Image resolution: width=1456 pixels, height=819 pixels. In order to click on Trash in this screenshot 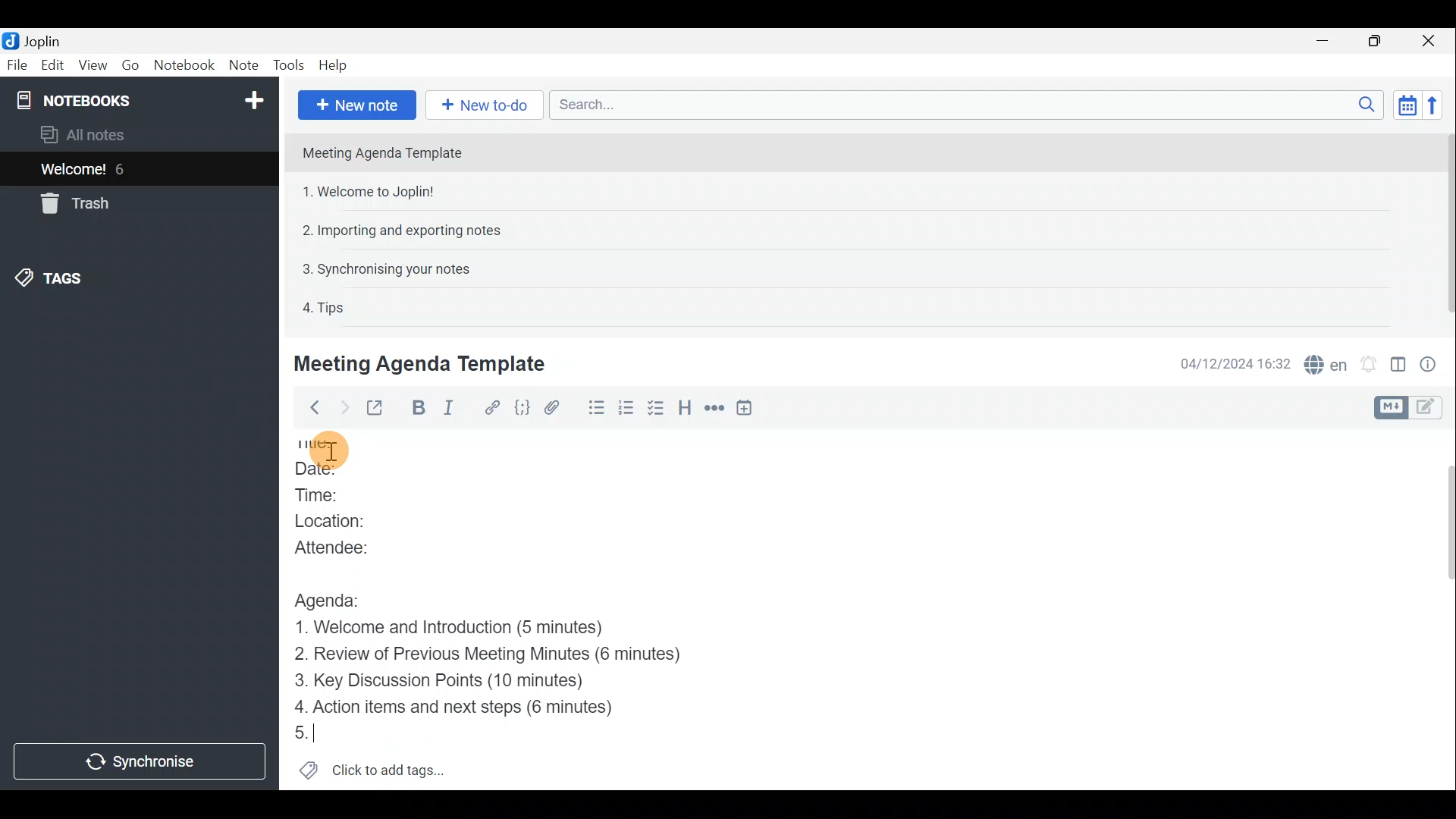, I will do `click(72, 203)`.